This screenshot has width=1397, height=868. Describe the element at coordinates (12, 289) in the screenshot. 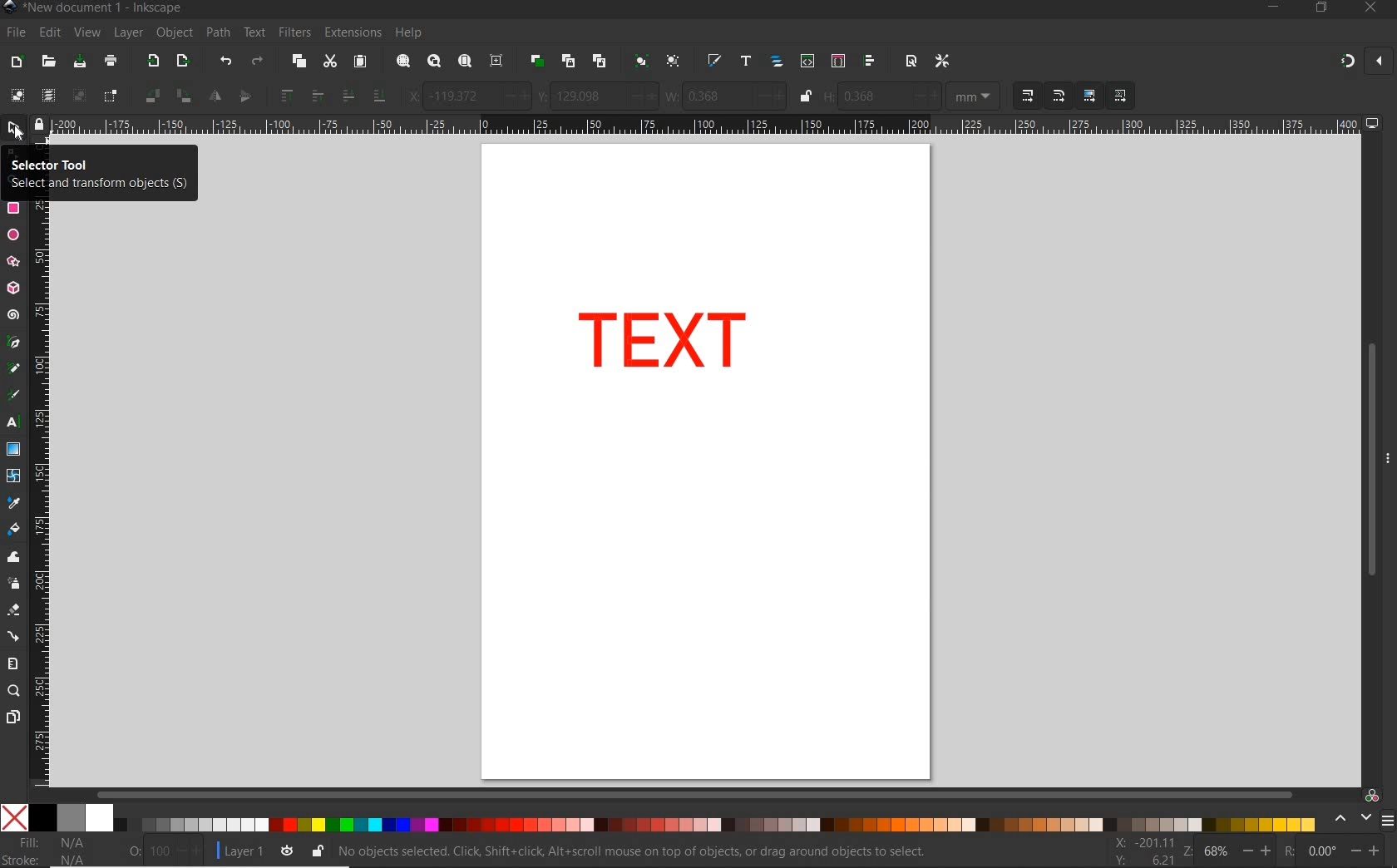

I see `3D BOX TOOL` at that location.